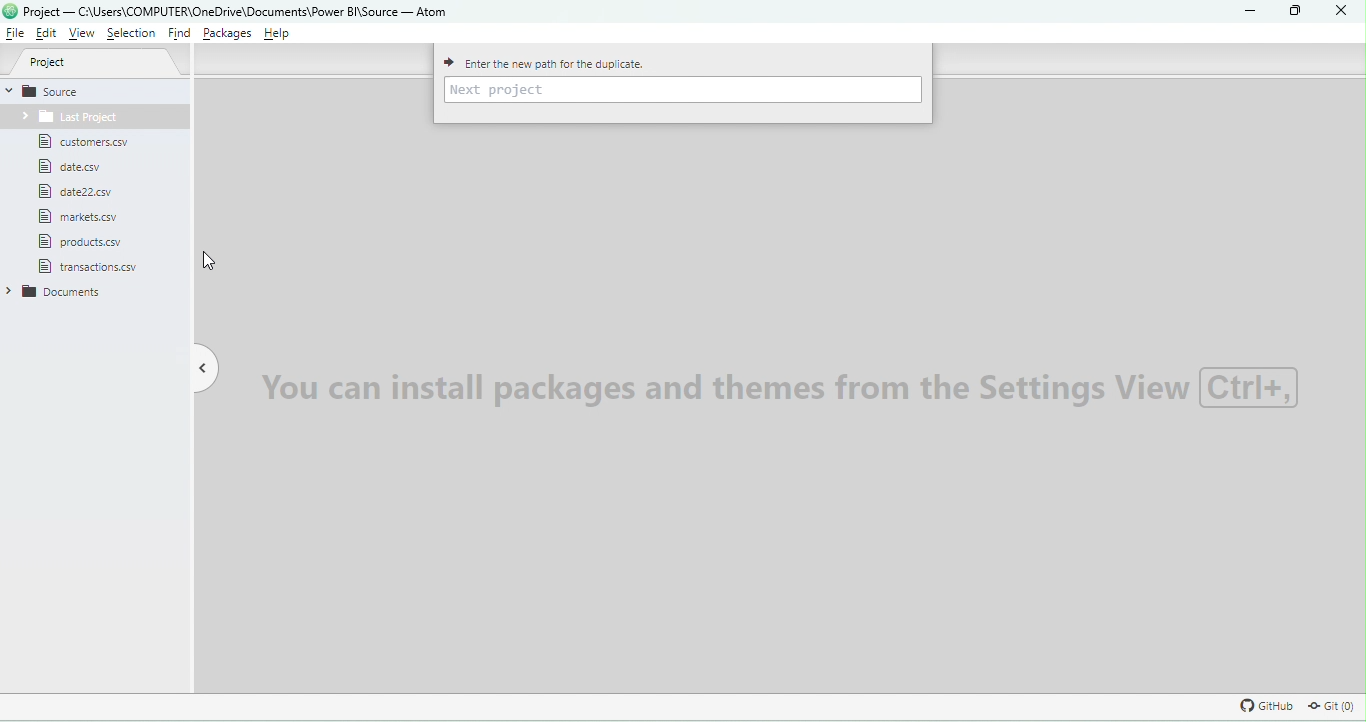 The image size is (1366, 722). Describe the element at coordinates (65, 118) in the screenshot. I see `Folder` at that location.